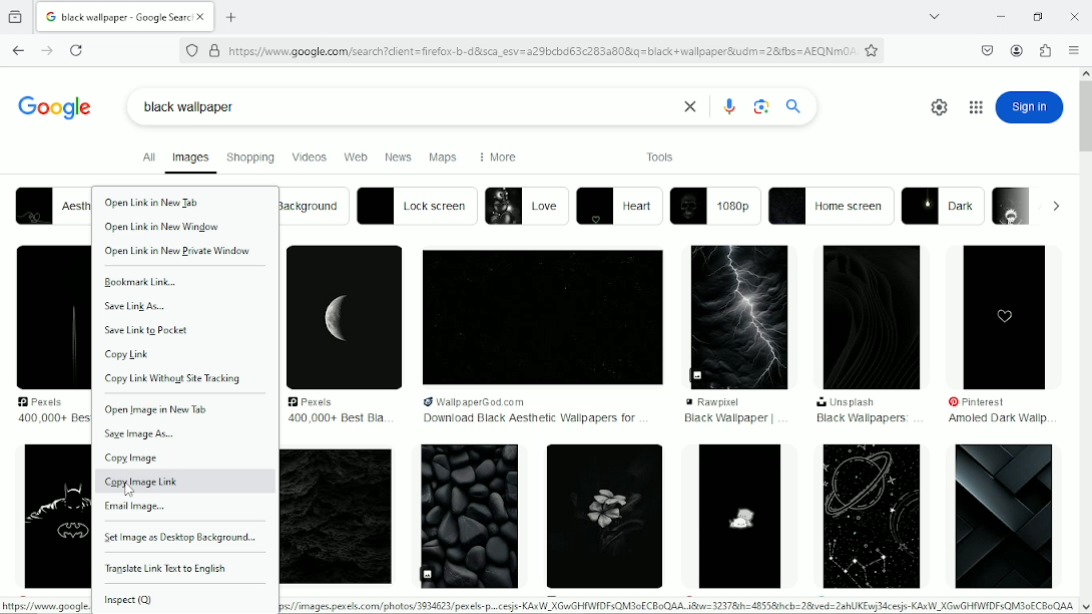 Image resolution: width=1092 pixels, height=614 pixels. What do you see at coordinates (526, 205) in the screenshot?
I see `love` at bounding box center [526, 205].